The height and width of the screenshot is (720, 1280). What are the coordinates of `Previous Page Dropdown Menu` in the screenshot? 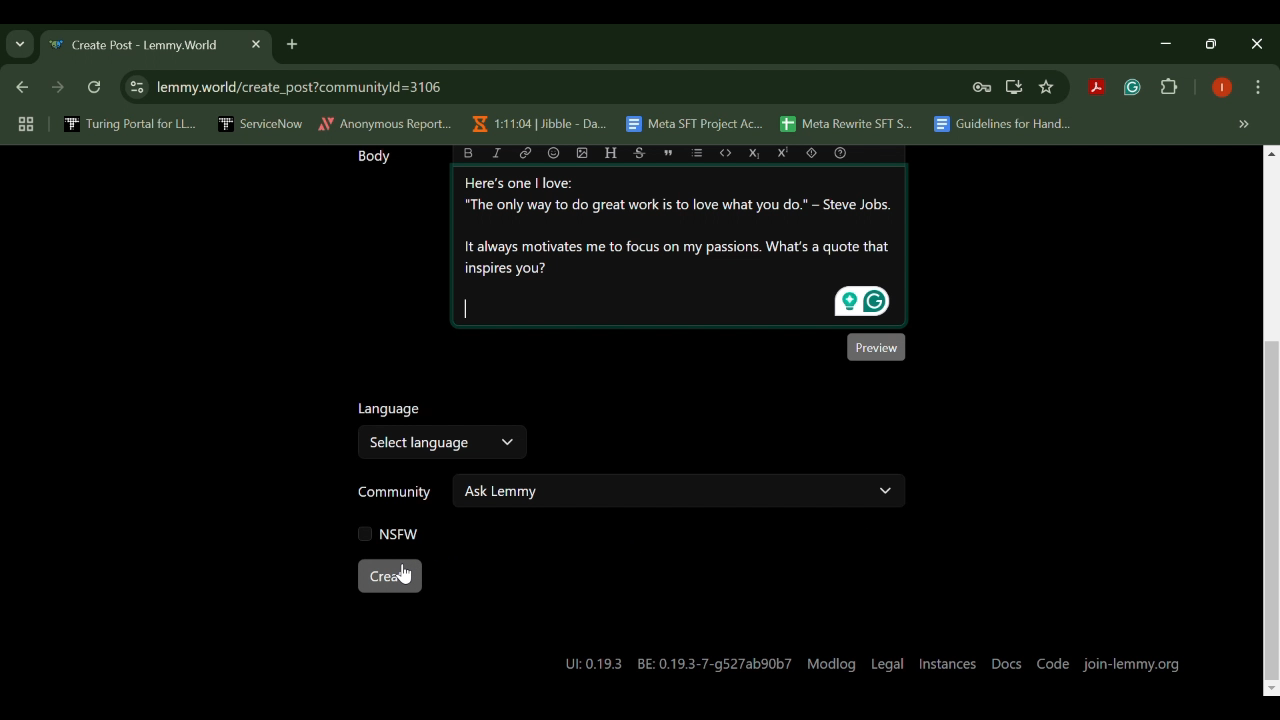 It's located at (20, 45).